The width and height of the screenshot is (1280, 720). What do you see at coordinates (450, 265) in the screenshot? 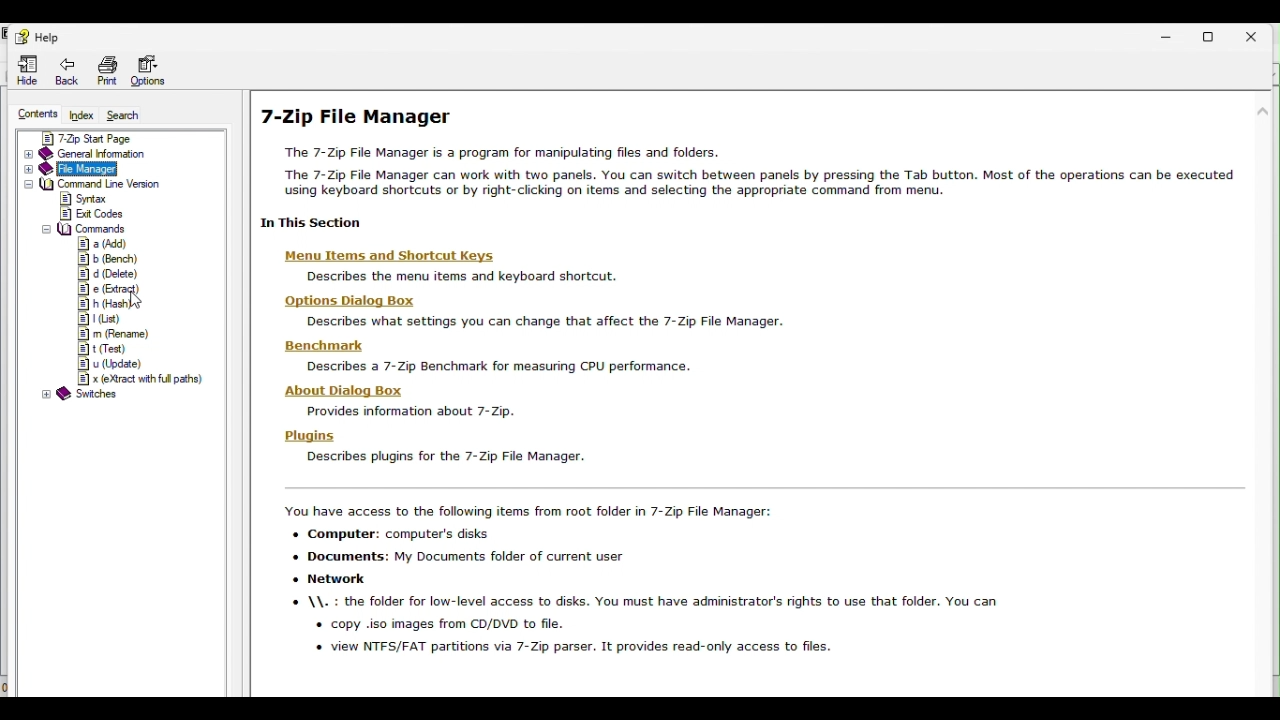
I see `menu items and shortcut keys` at bounding box center [450, 265].